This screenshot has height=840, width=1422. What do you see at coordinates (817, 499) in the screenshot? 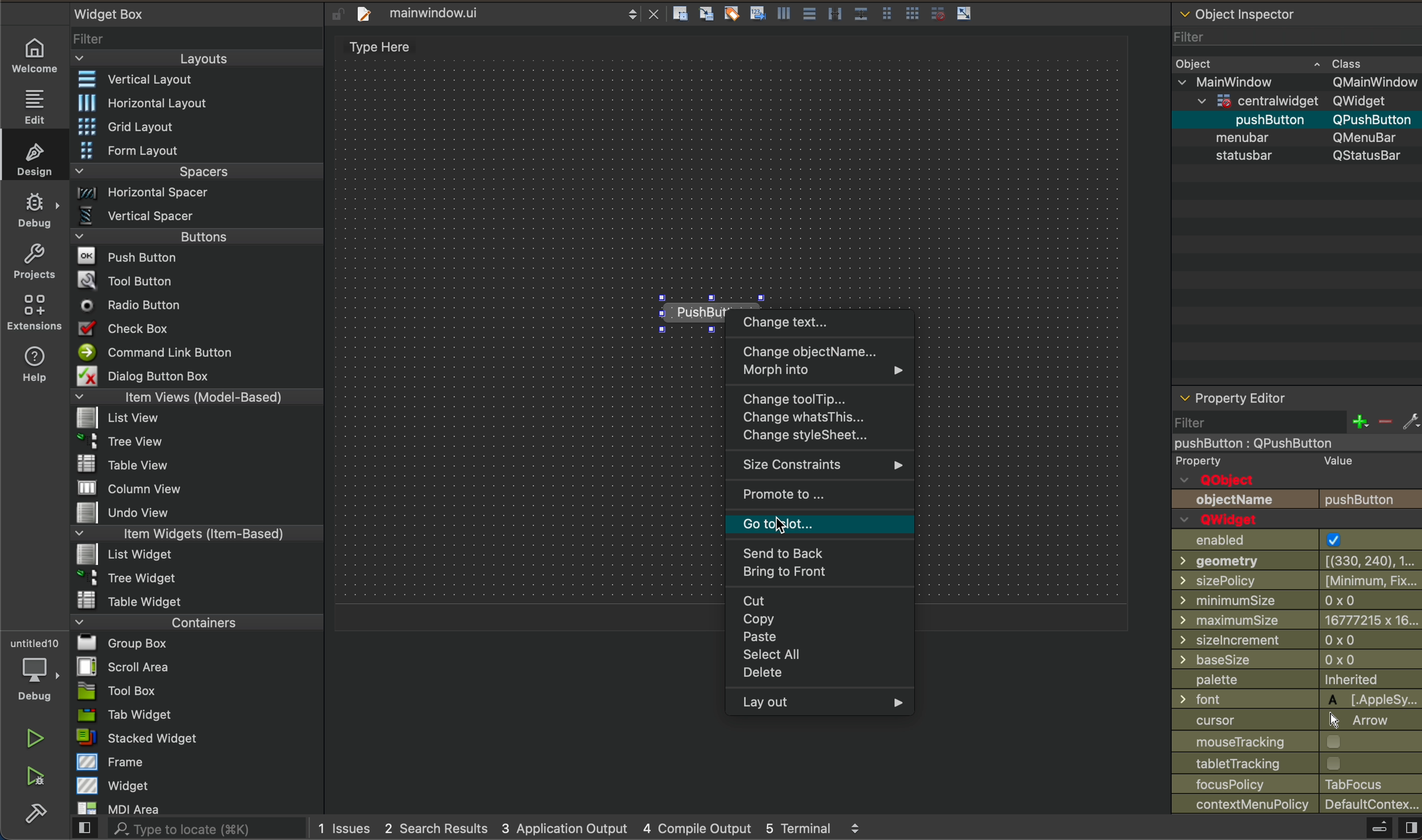
I see `promote to` at bounding box center [817, 499].